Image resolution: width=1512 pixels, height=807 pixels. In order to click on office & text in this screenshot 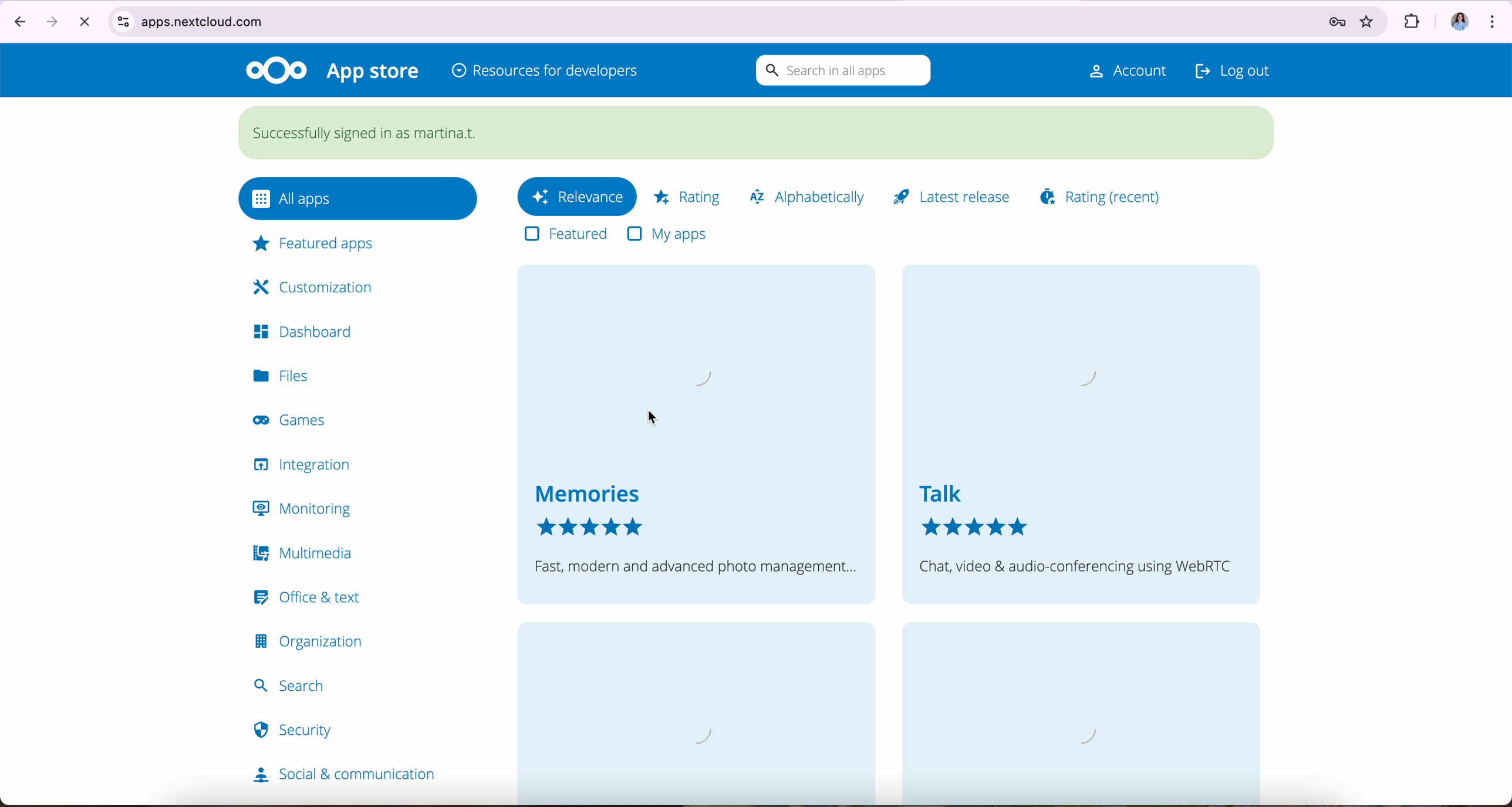, I will do `click(302, 596)`.